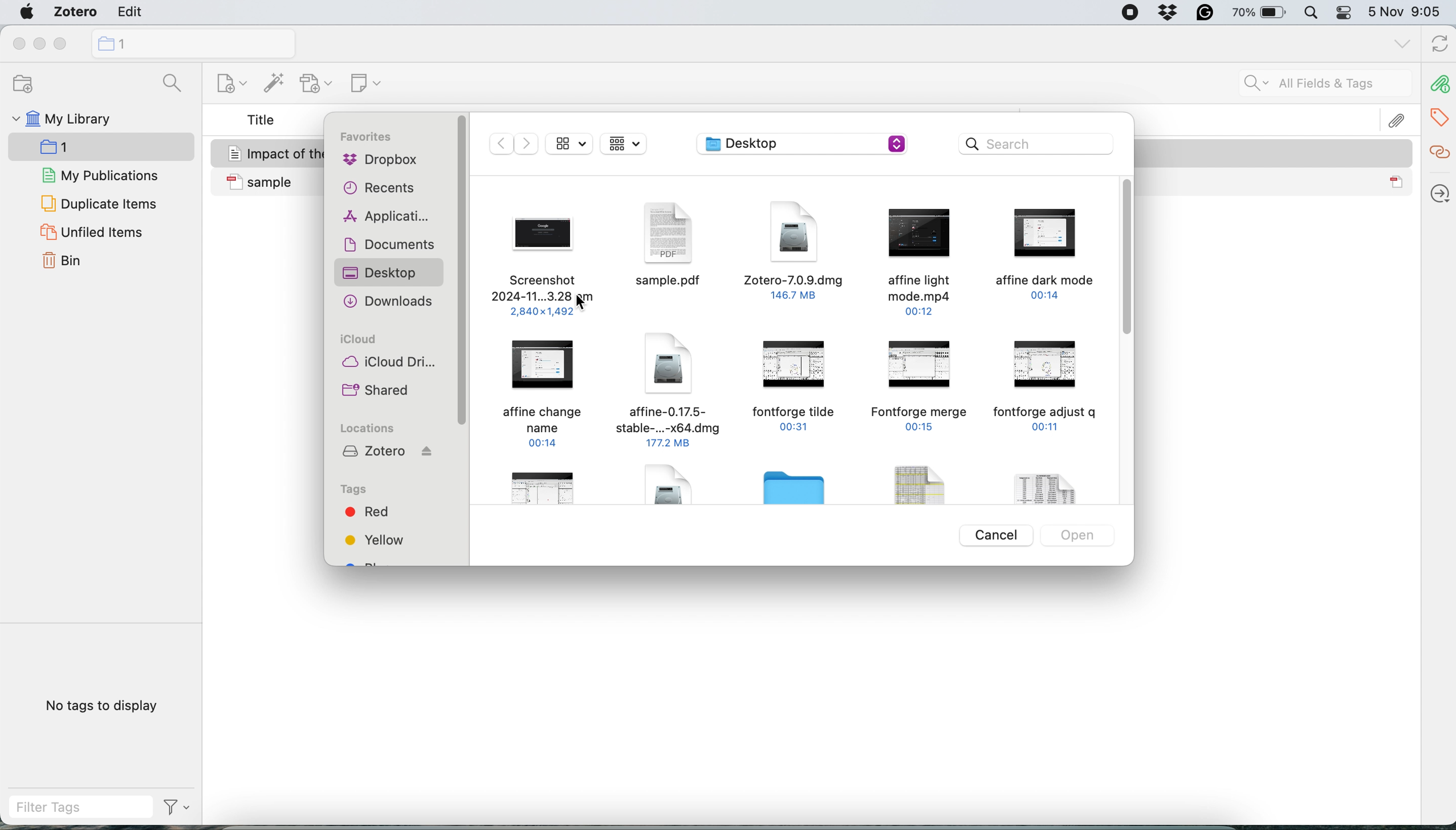 This screenshot has height=830, width=1456. What do you see at coordinates (1311, 14) in the screenshot?
I see `spotlight search` at bounding box center [1311, 14].